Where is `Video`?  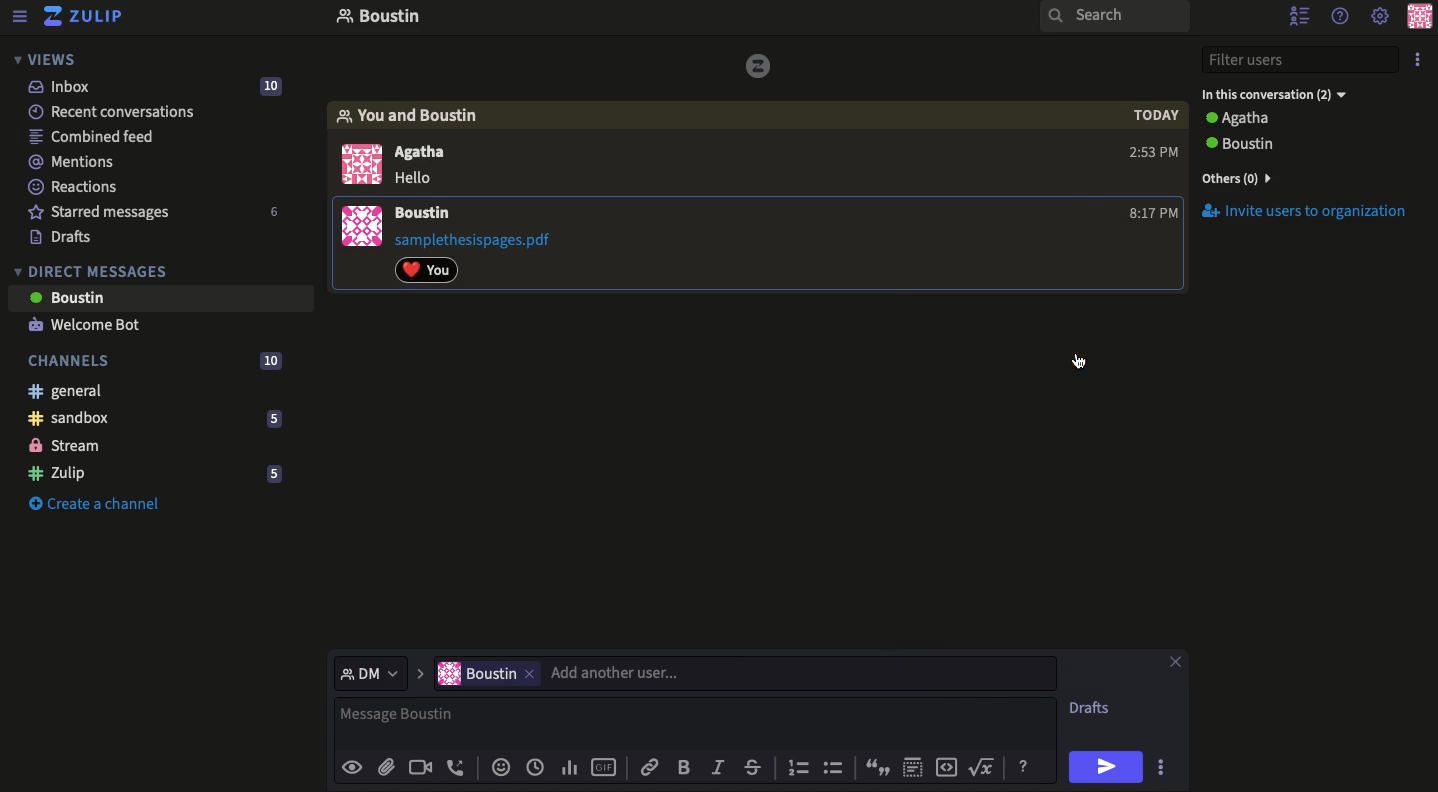
Video is located at coordinates (418, 766).